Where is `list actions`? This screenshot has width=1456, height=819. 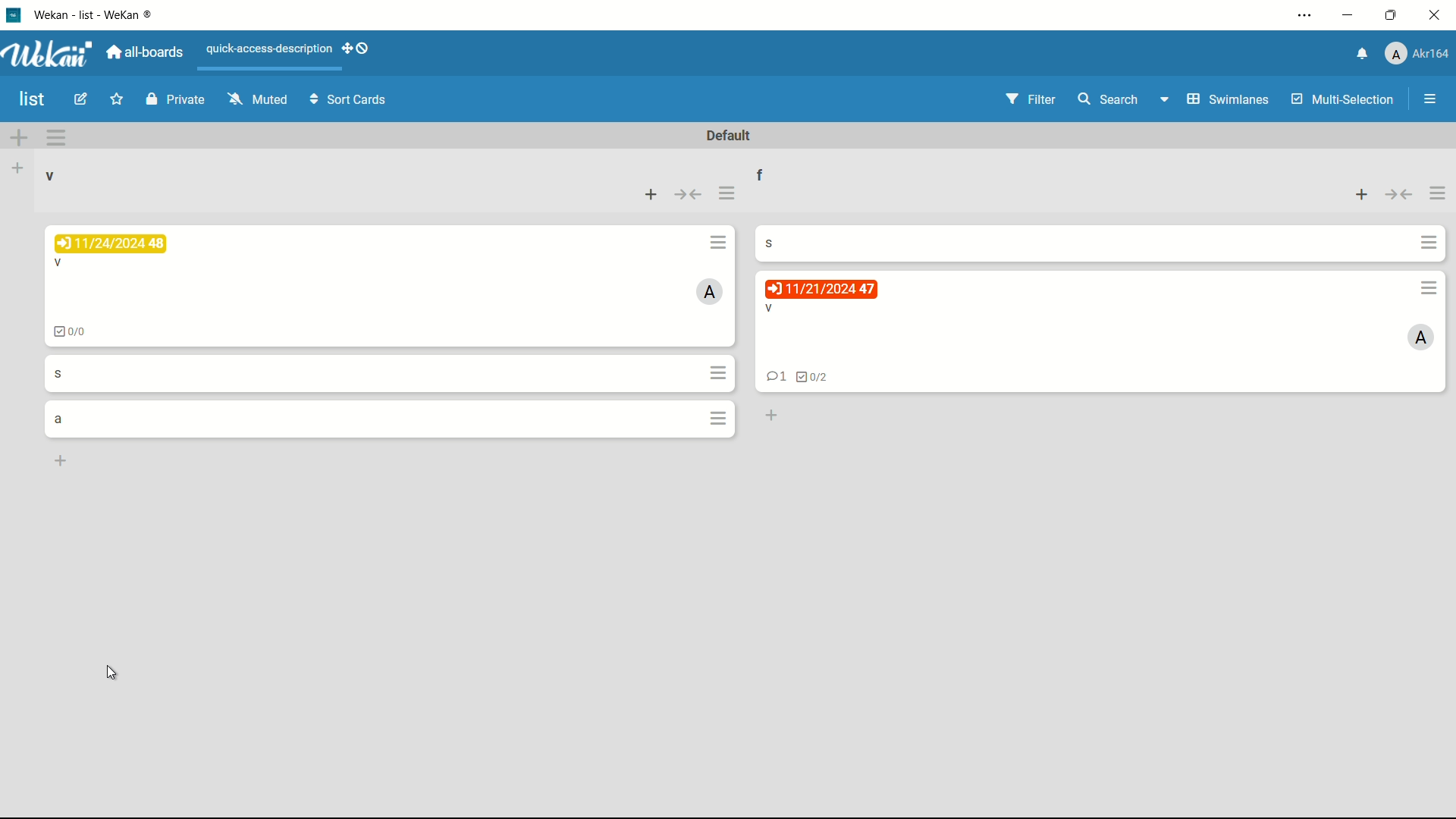
list actions is located at coordinates (727, 194).